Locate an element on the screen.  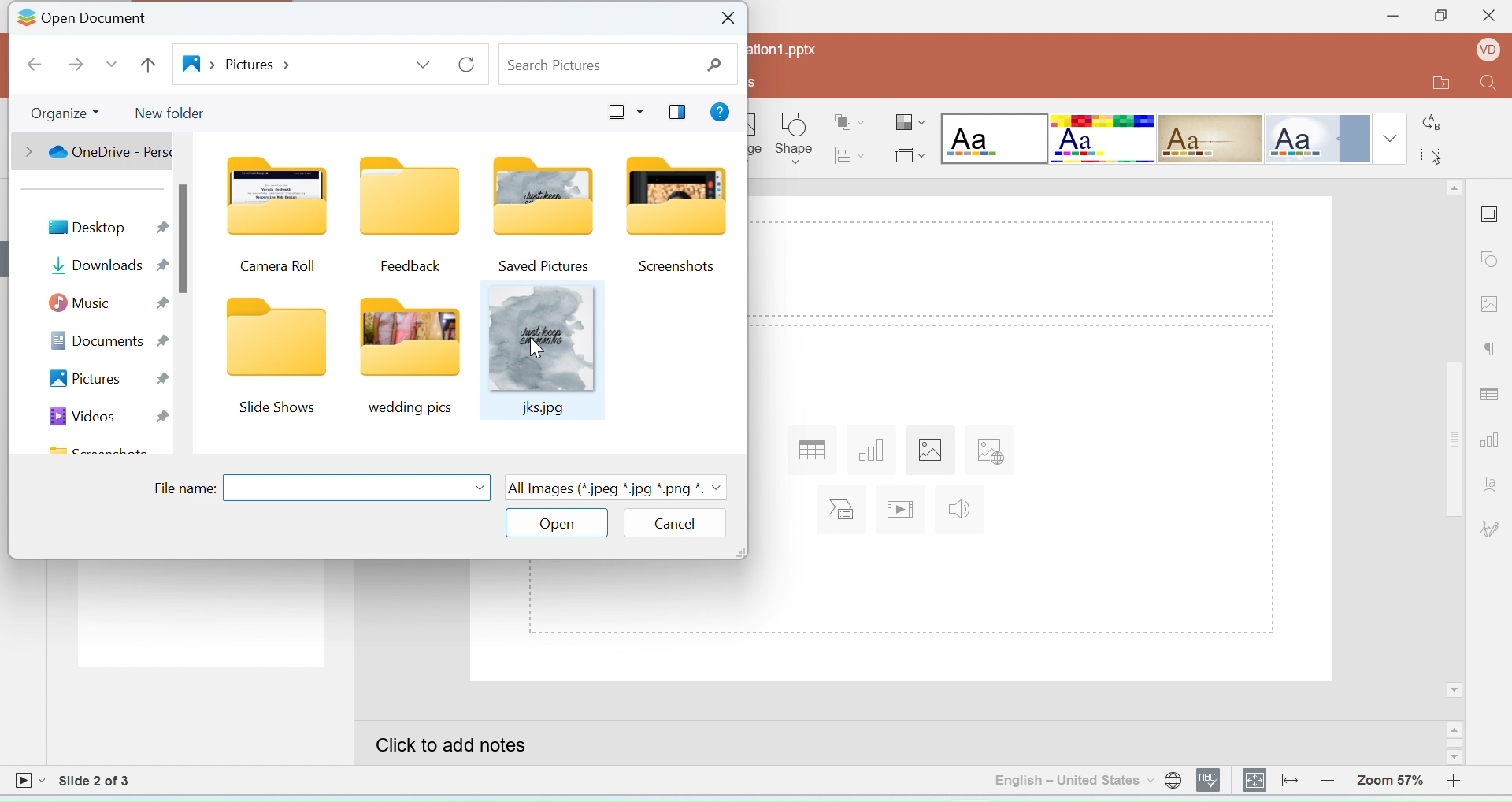
Fit to width is located at coordinates (1291, 780).